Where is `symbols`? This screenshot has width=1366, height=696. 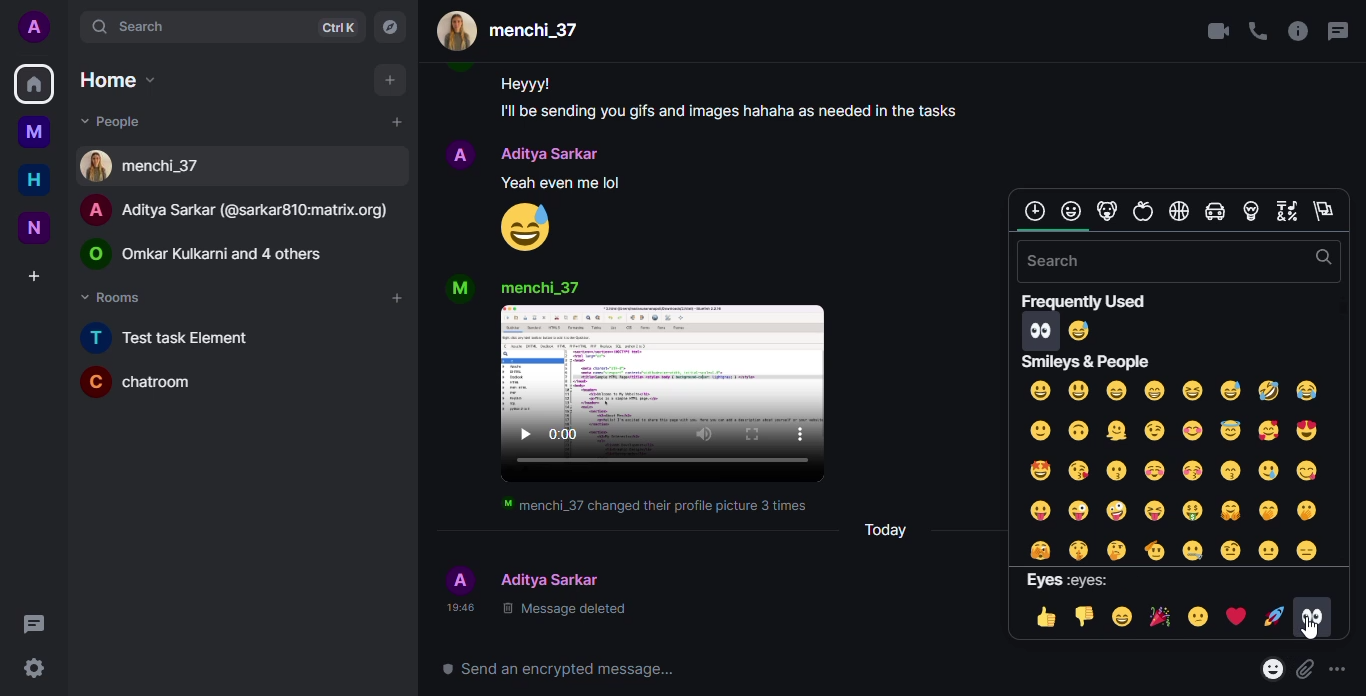 symbols is located at coordinates (1283, 211).